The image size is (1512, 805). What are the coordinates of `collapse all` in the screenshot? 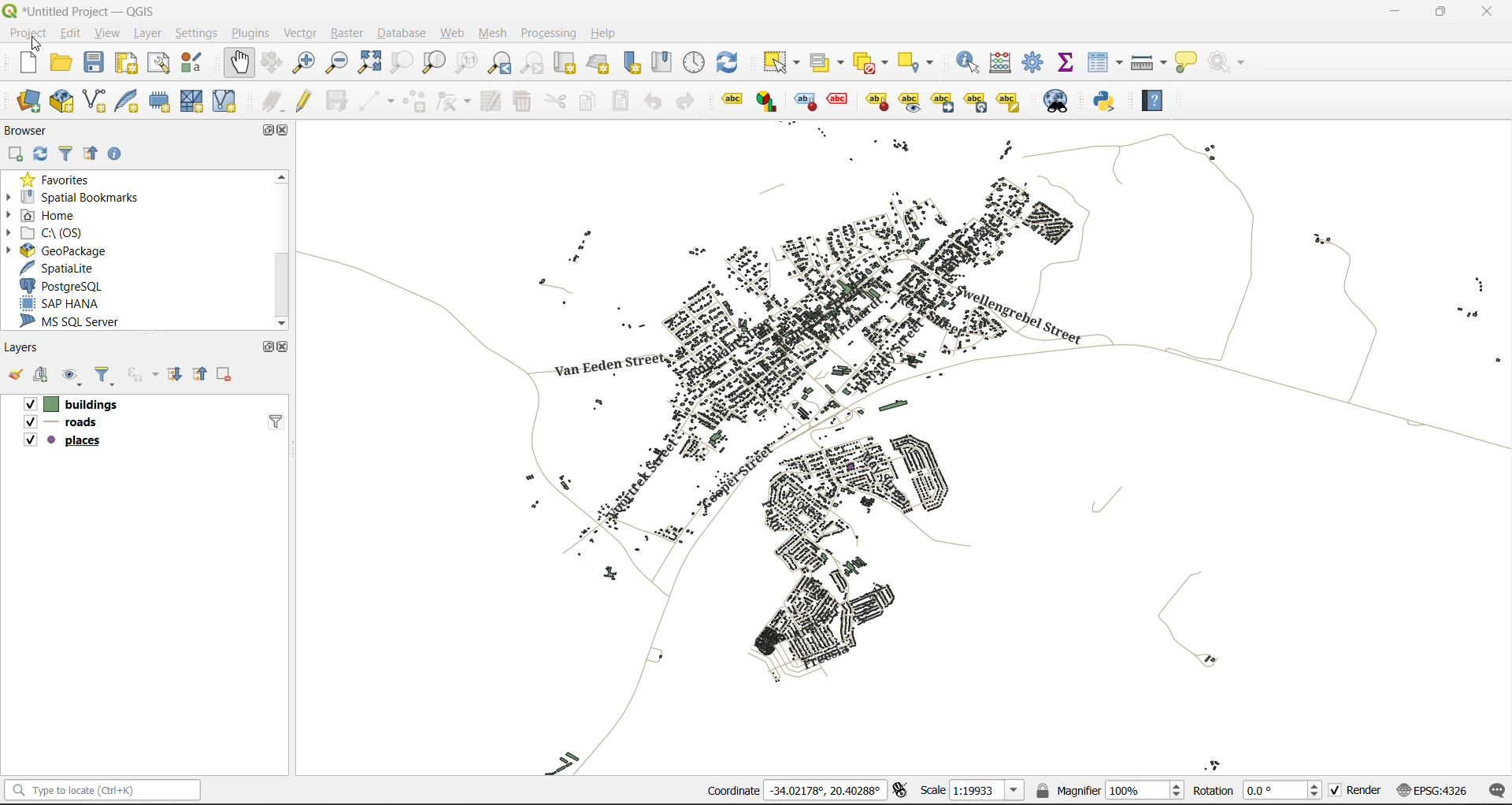 It's located at (199, 376).